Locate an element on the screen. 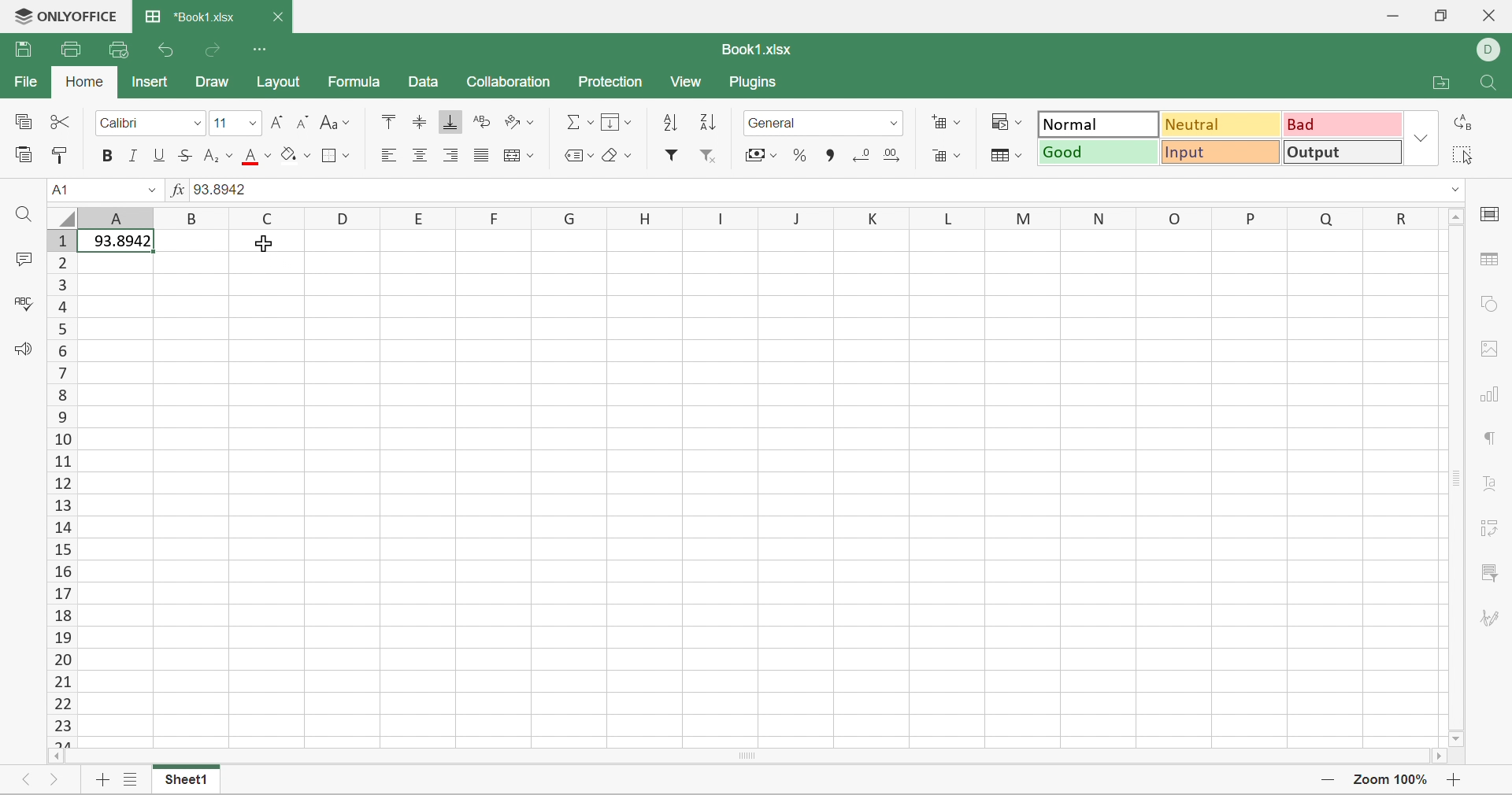 Image resolution: width=1512 pixels, height=795 pixels. General is located at coordinates (777, 123).